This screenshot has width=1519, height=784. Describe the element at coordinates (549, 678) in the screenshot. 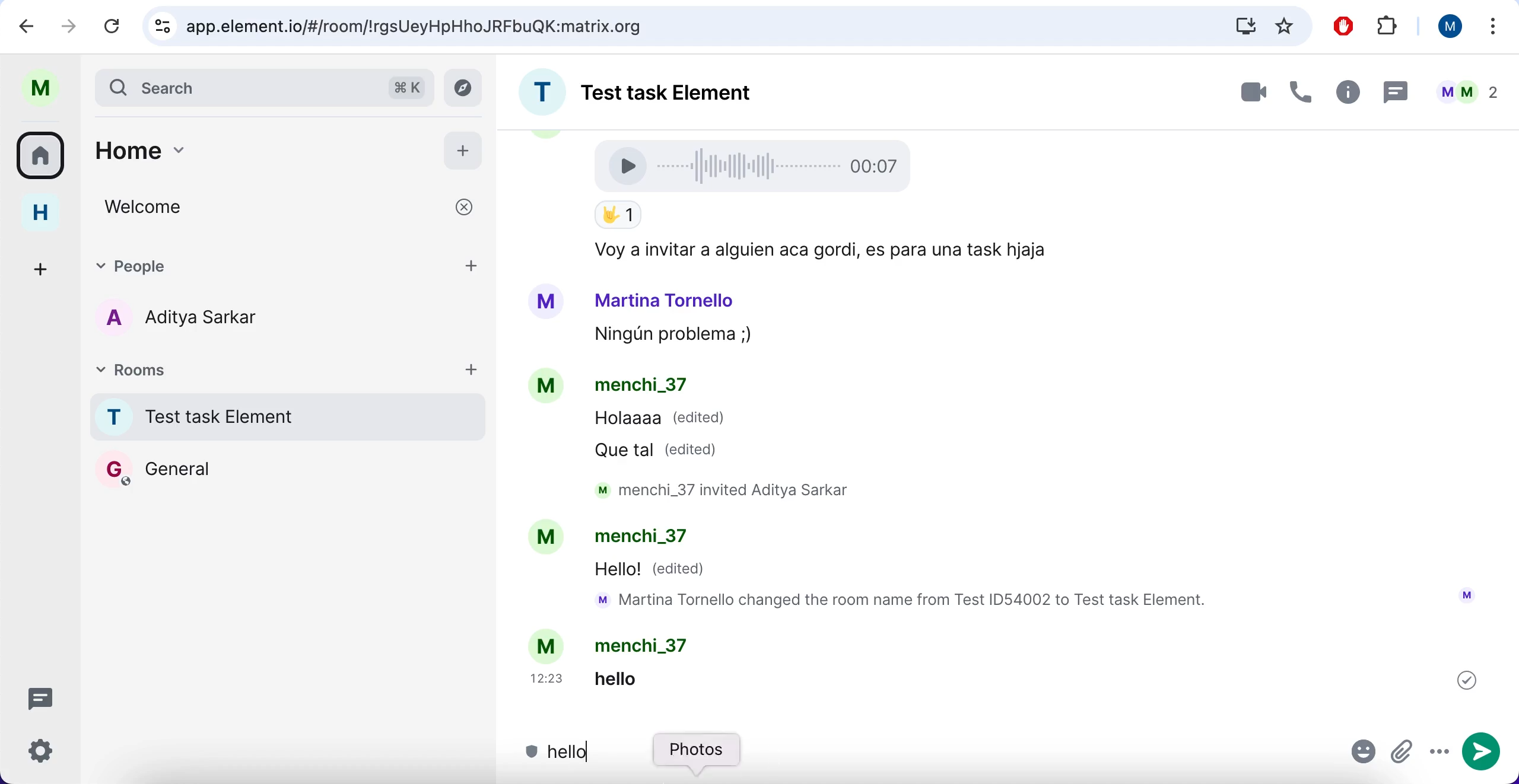

I see `12:23` at that location.